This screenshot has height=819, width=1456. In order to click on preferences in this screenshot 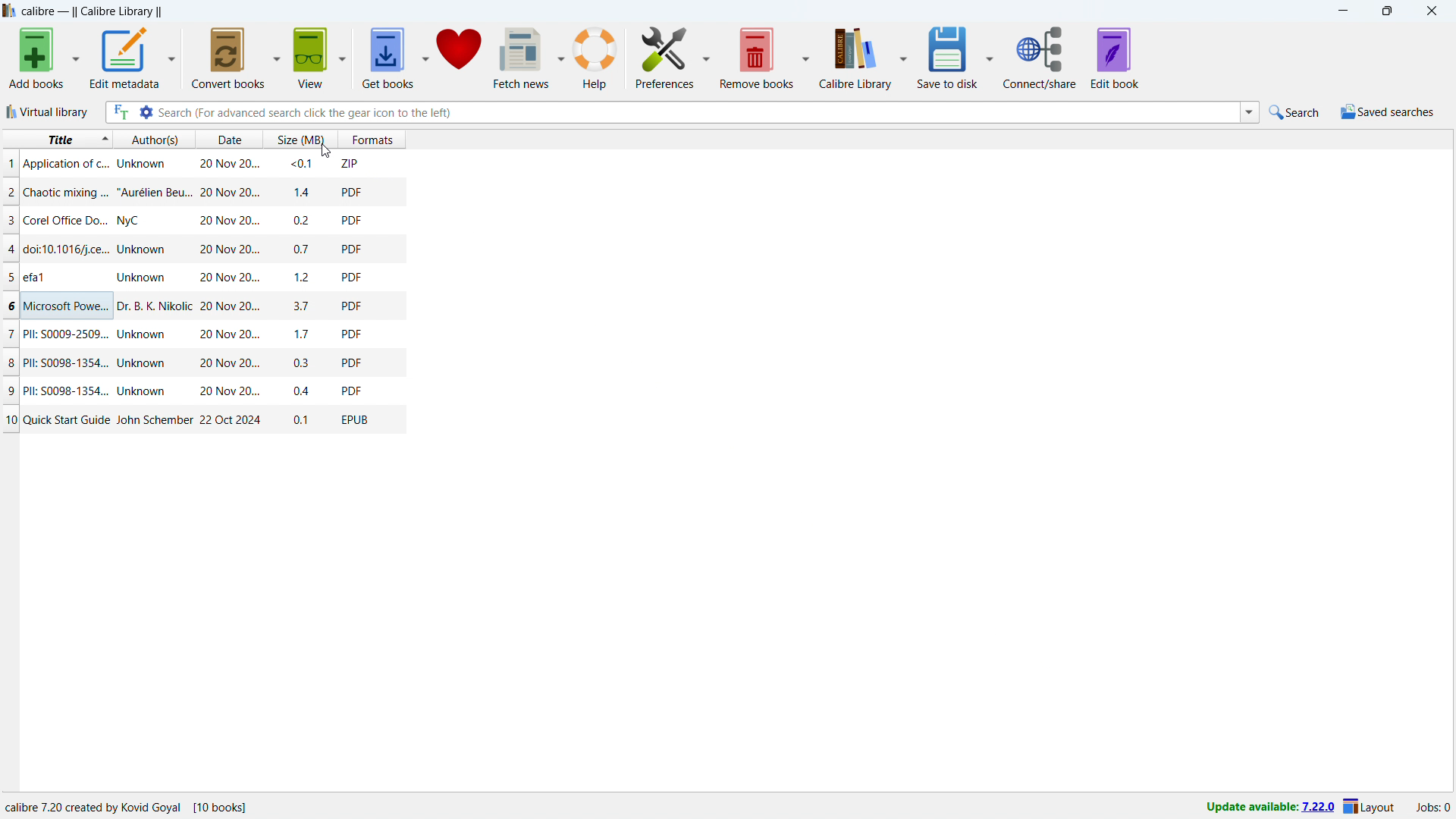, I will do `click(664, 58)`.